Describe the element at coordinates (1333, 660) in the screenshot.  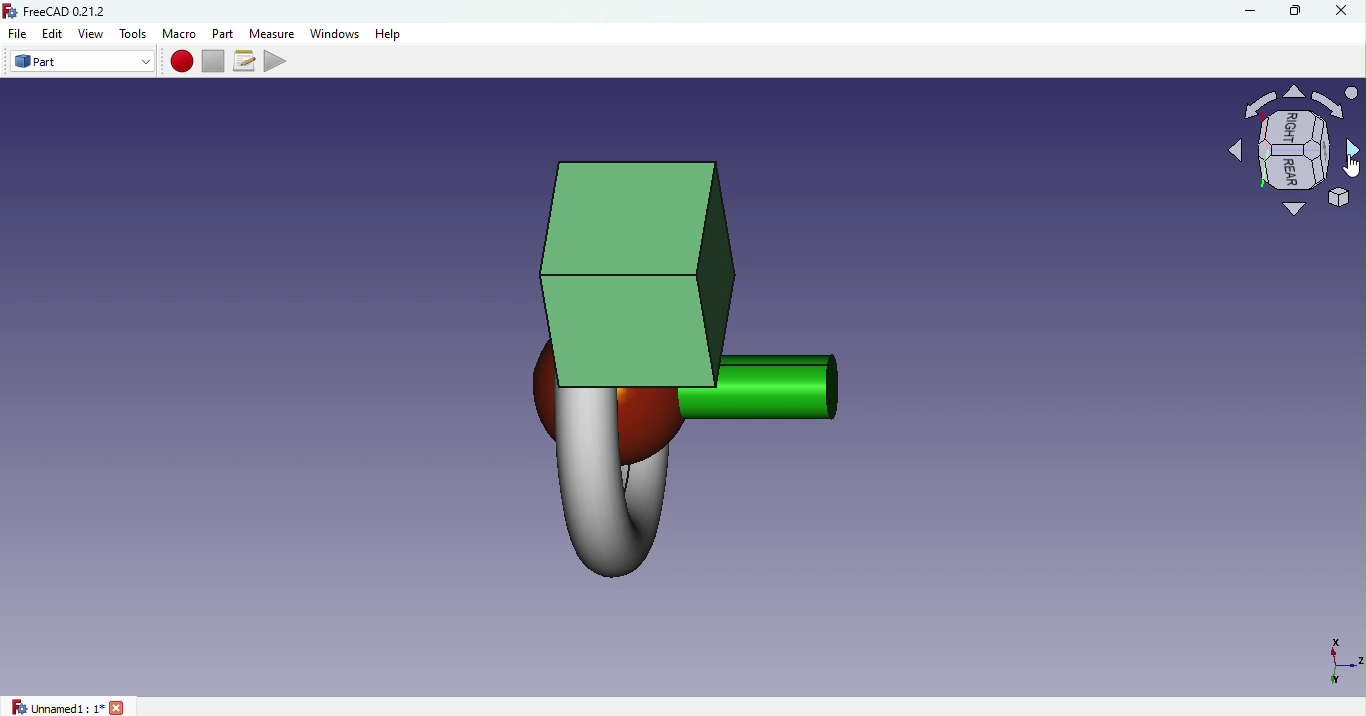
I see `Dimension axis` at that location.